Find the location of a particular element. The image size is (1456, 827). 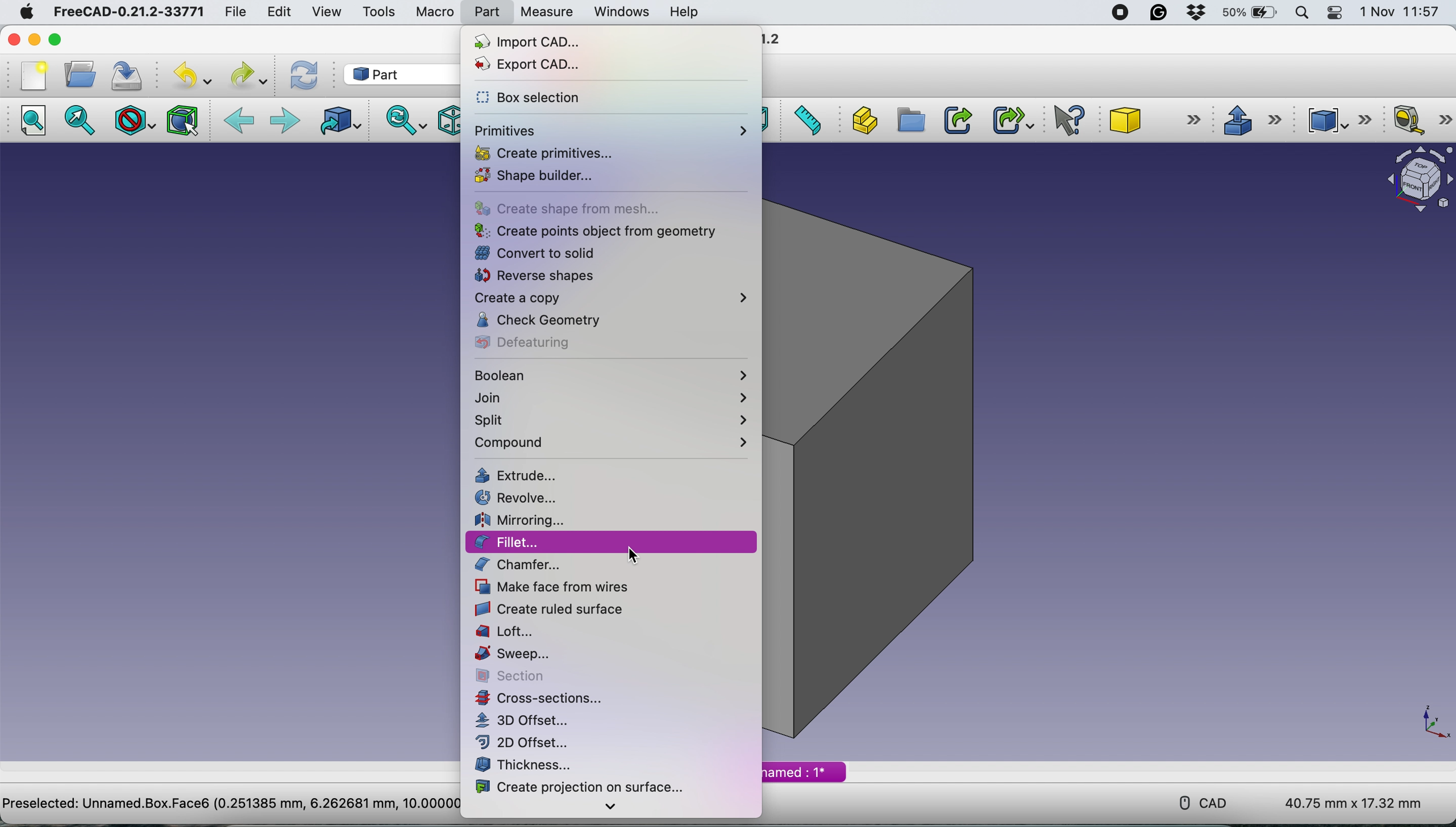

thickness is located at coordinates (525, 766).